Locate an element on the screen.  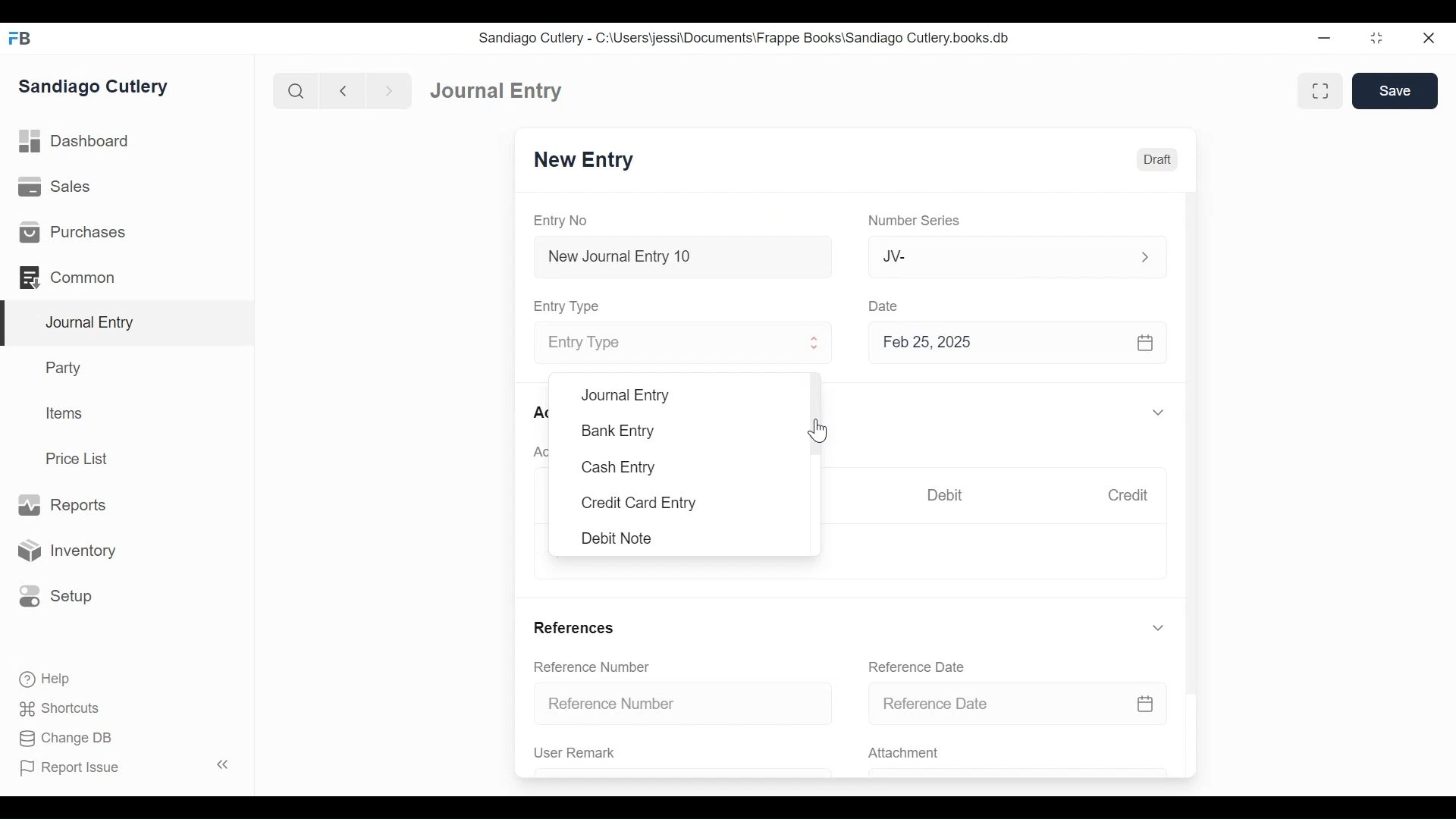
JV- is located at coordinates (998, 256).